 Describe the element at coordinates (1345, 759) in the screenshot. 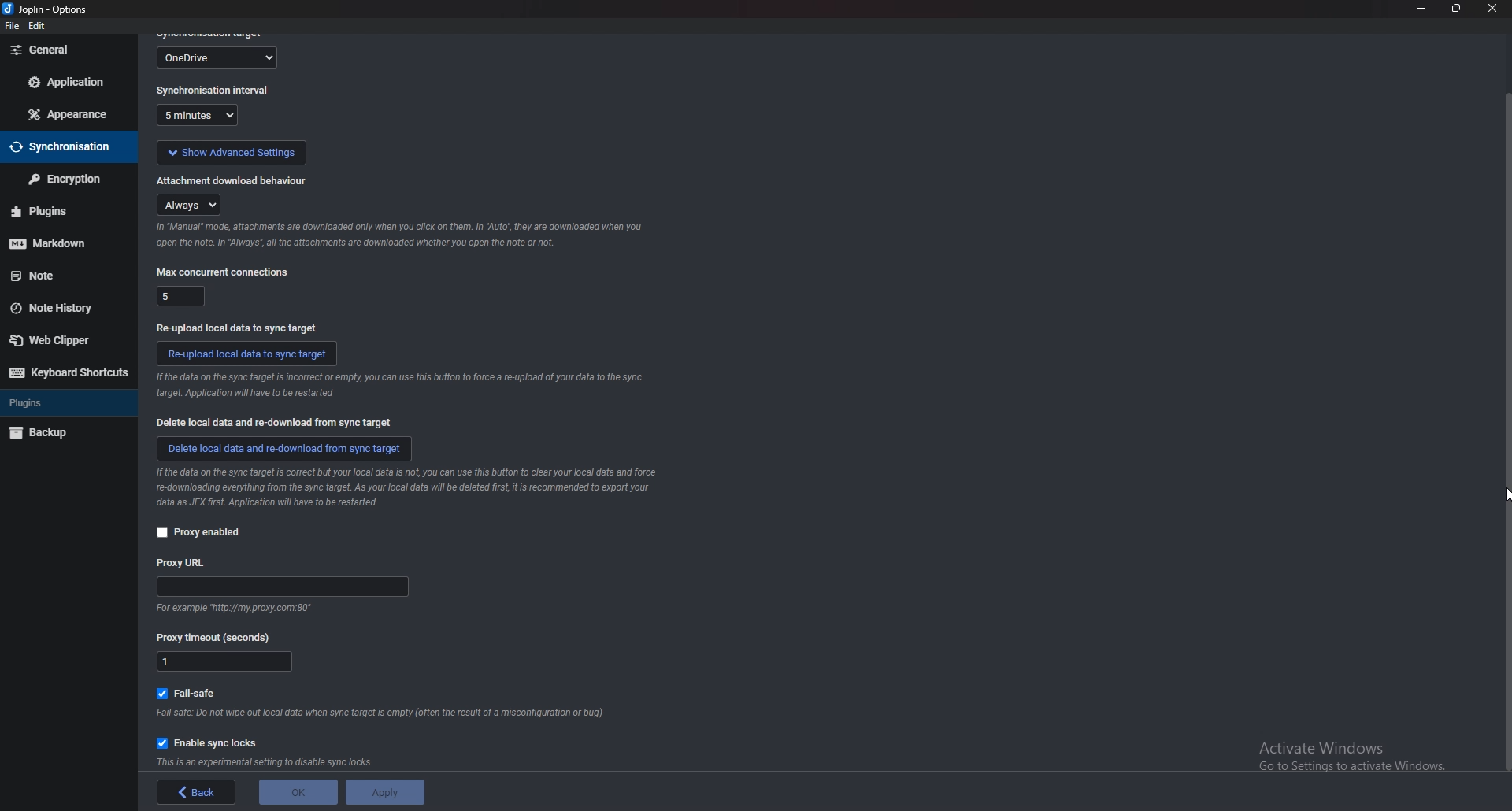

I see `Activate Windows` at that location.